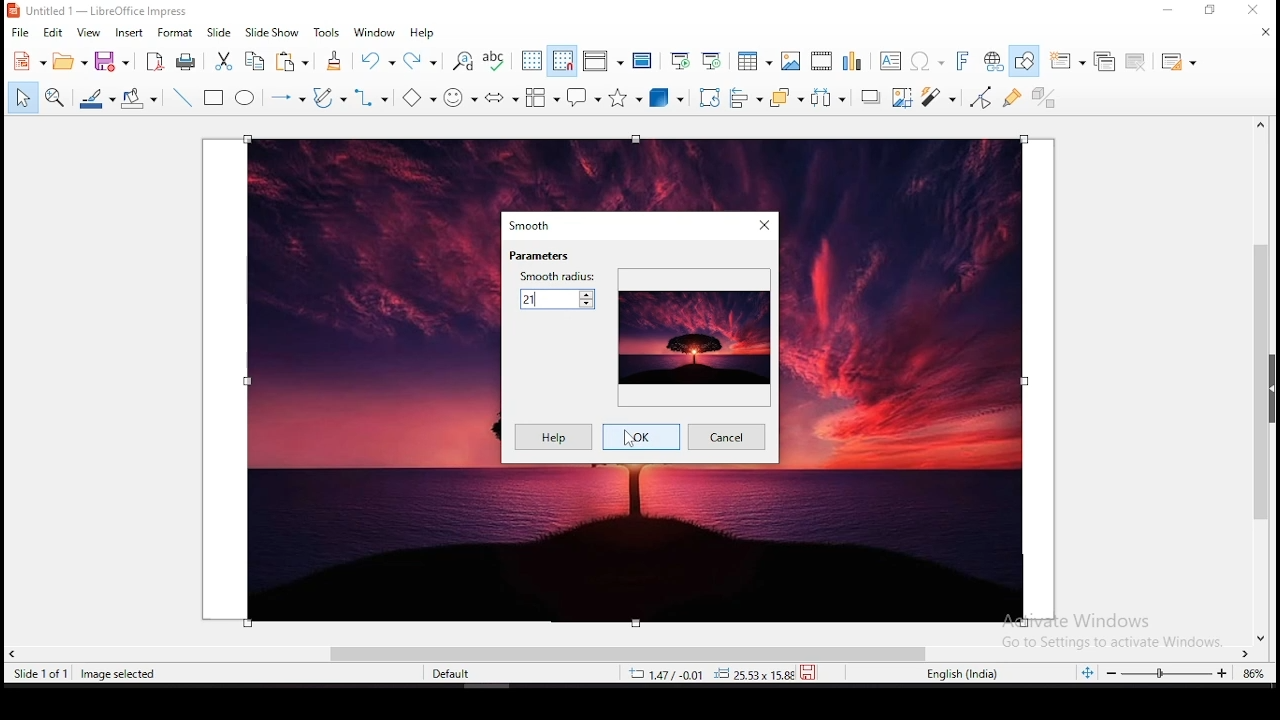  Describe the element at coordinates (811, 671) in the screenshot. I see `save` at that location.